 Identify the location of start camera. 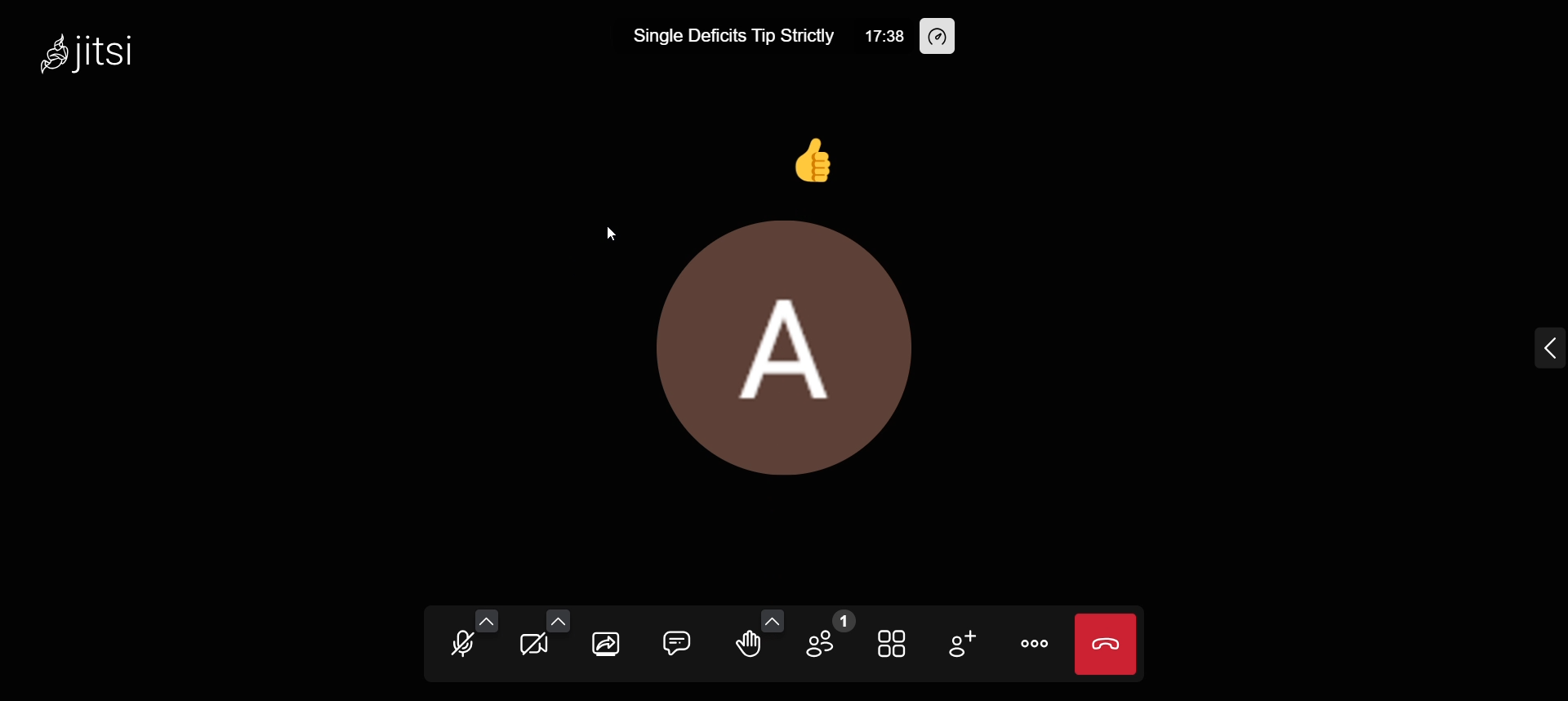
(534, 645).